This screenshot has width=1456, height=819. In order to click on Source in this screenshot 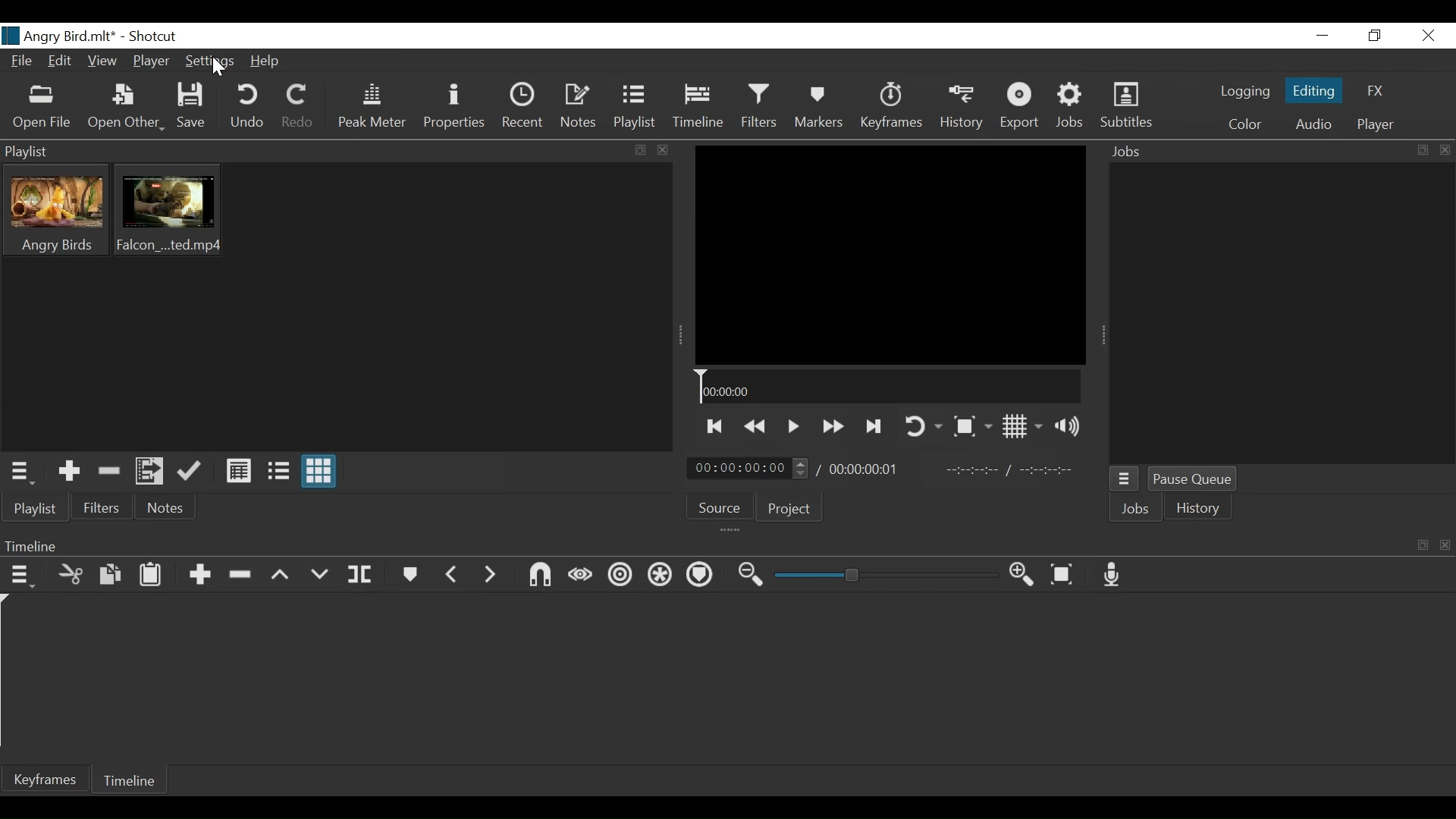, I will do `click(721, 507)`.